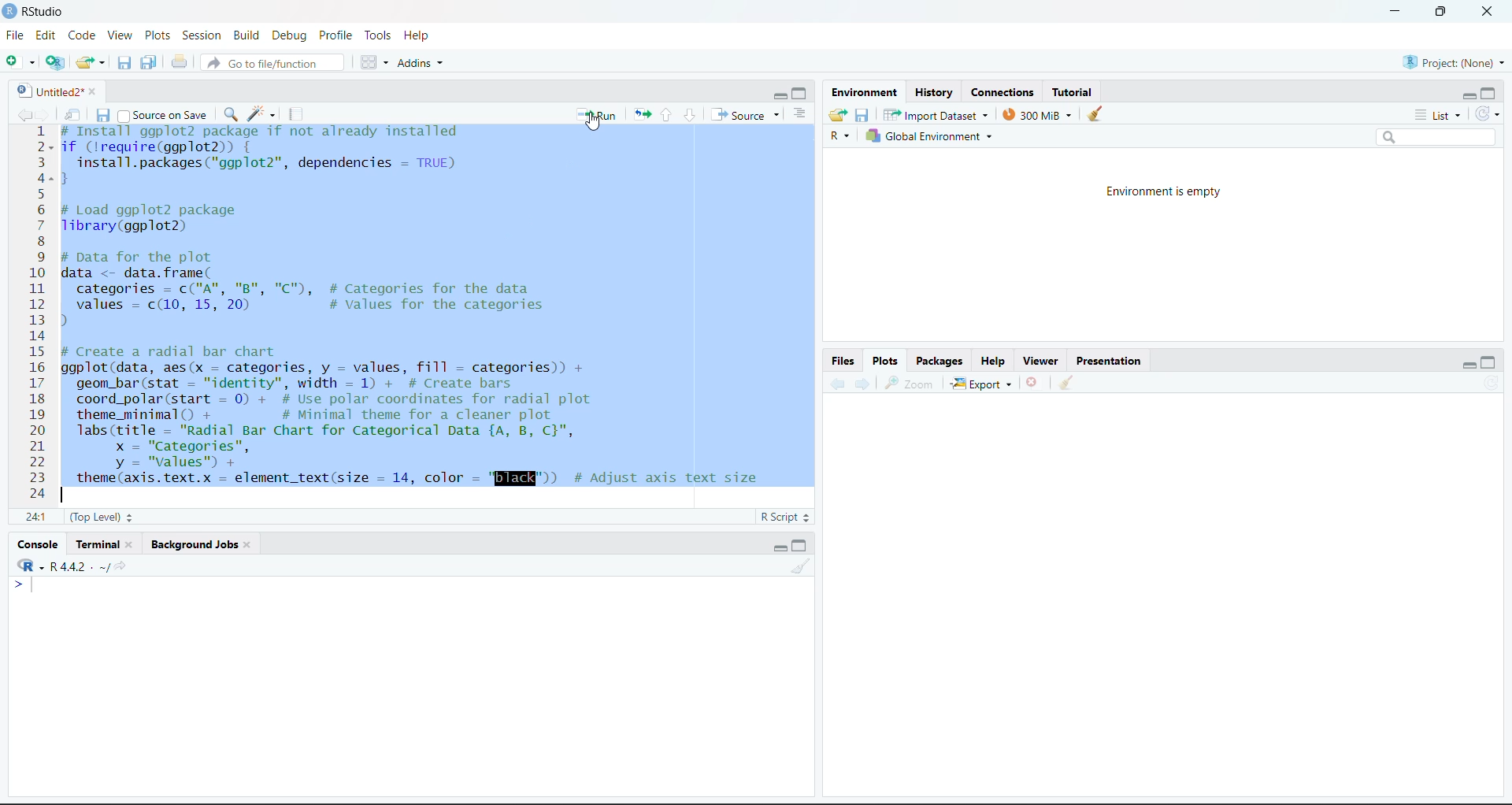 The width and height of the screenshot is (1512, 805). I want to click on save all open documents, so click(148, 61).